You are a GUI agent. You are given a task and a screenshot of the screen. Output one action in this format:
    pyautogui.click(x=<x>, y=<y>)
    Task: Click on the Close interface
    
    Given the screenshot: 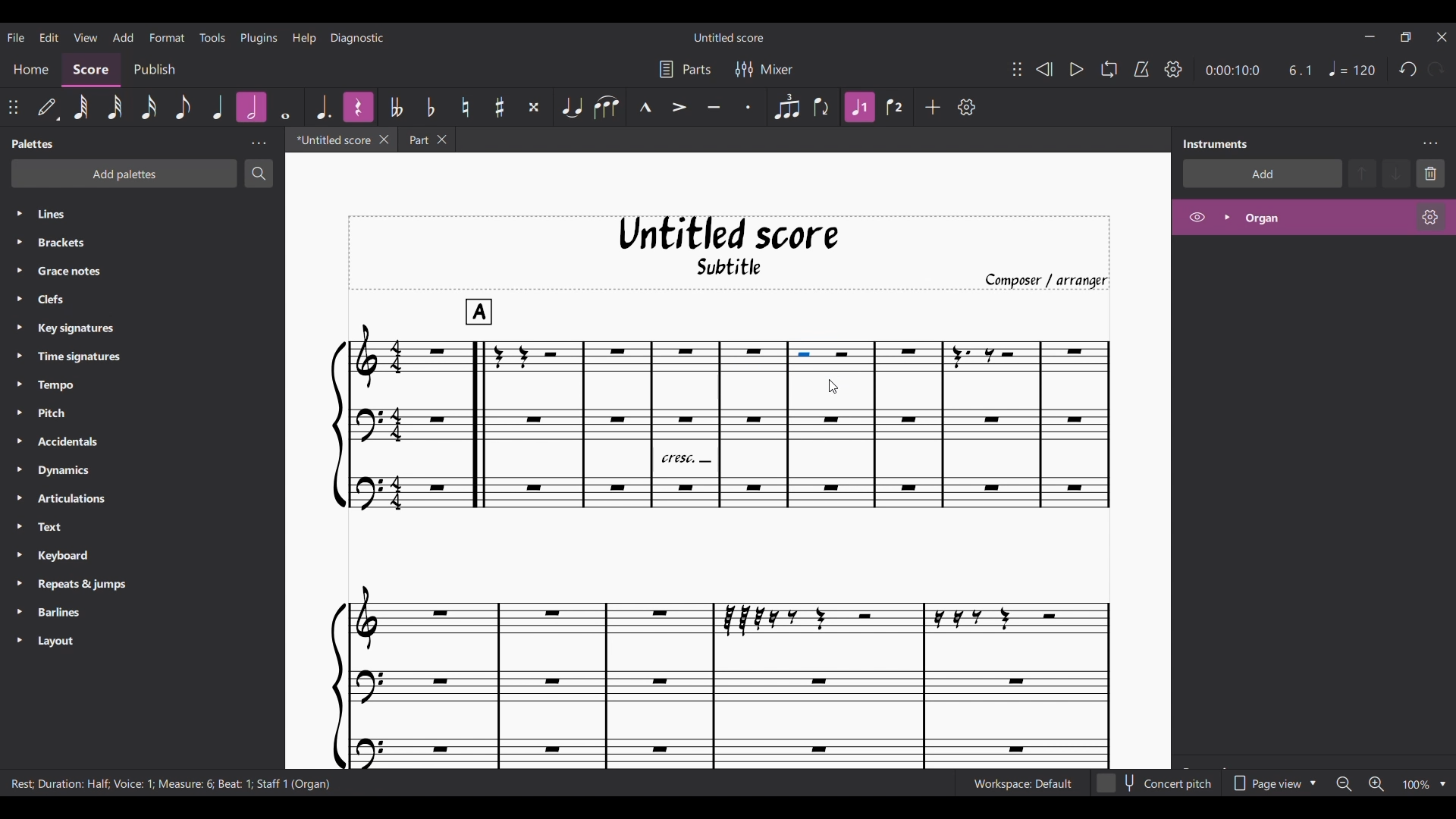 What is the action you would take?
    pyautogui.click(x=1442, y=36)
    